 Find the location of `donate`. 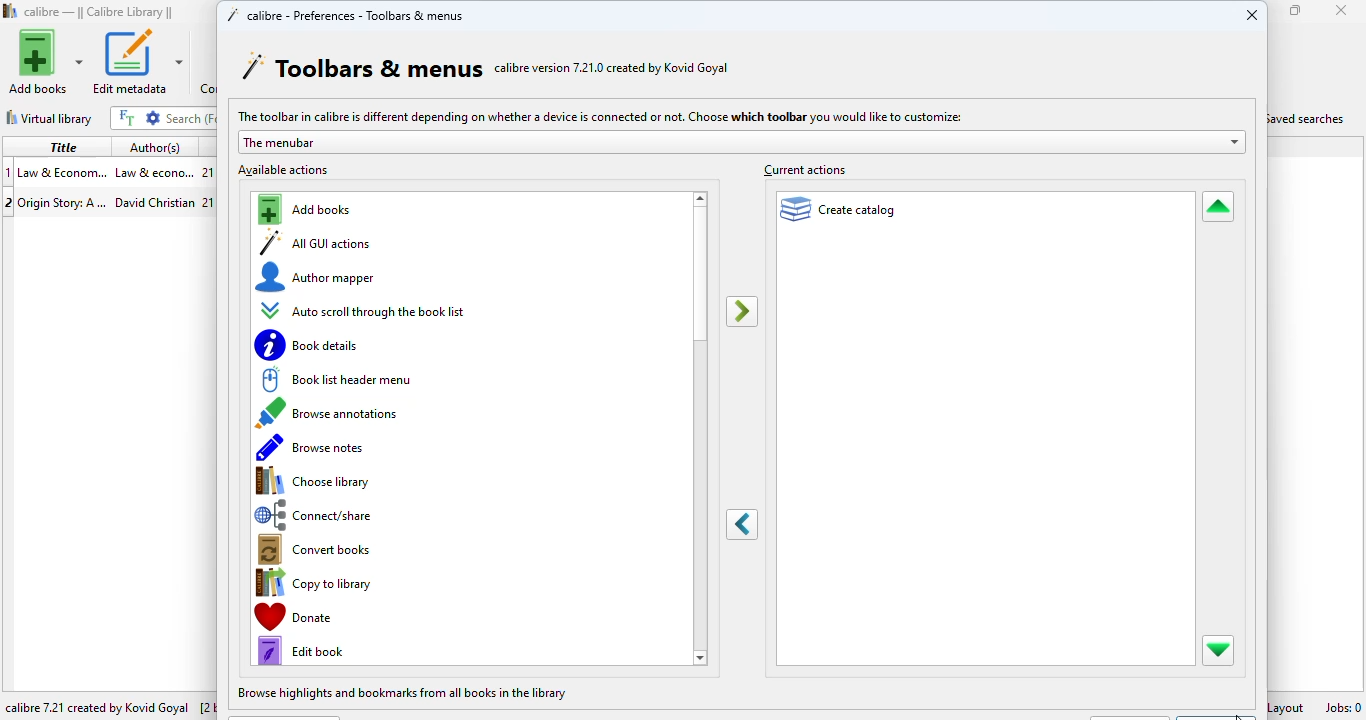

donate is located at coordinates (342, 616).